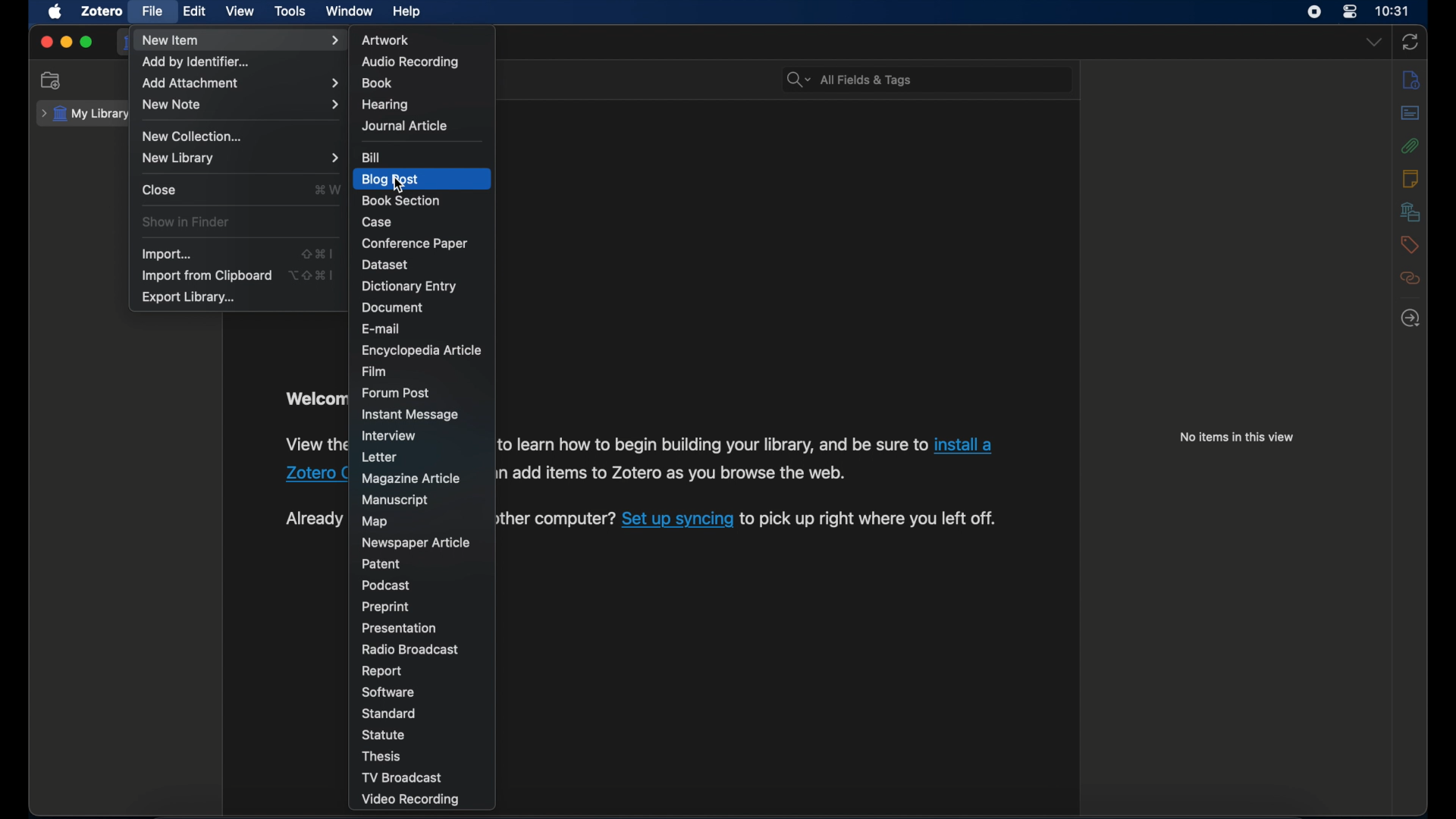 This screenshot has height=819, width=1456. What do you see at coordinates (167, 254) in the screenshot?
I see `import` at bounding box center [167, 254].